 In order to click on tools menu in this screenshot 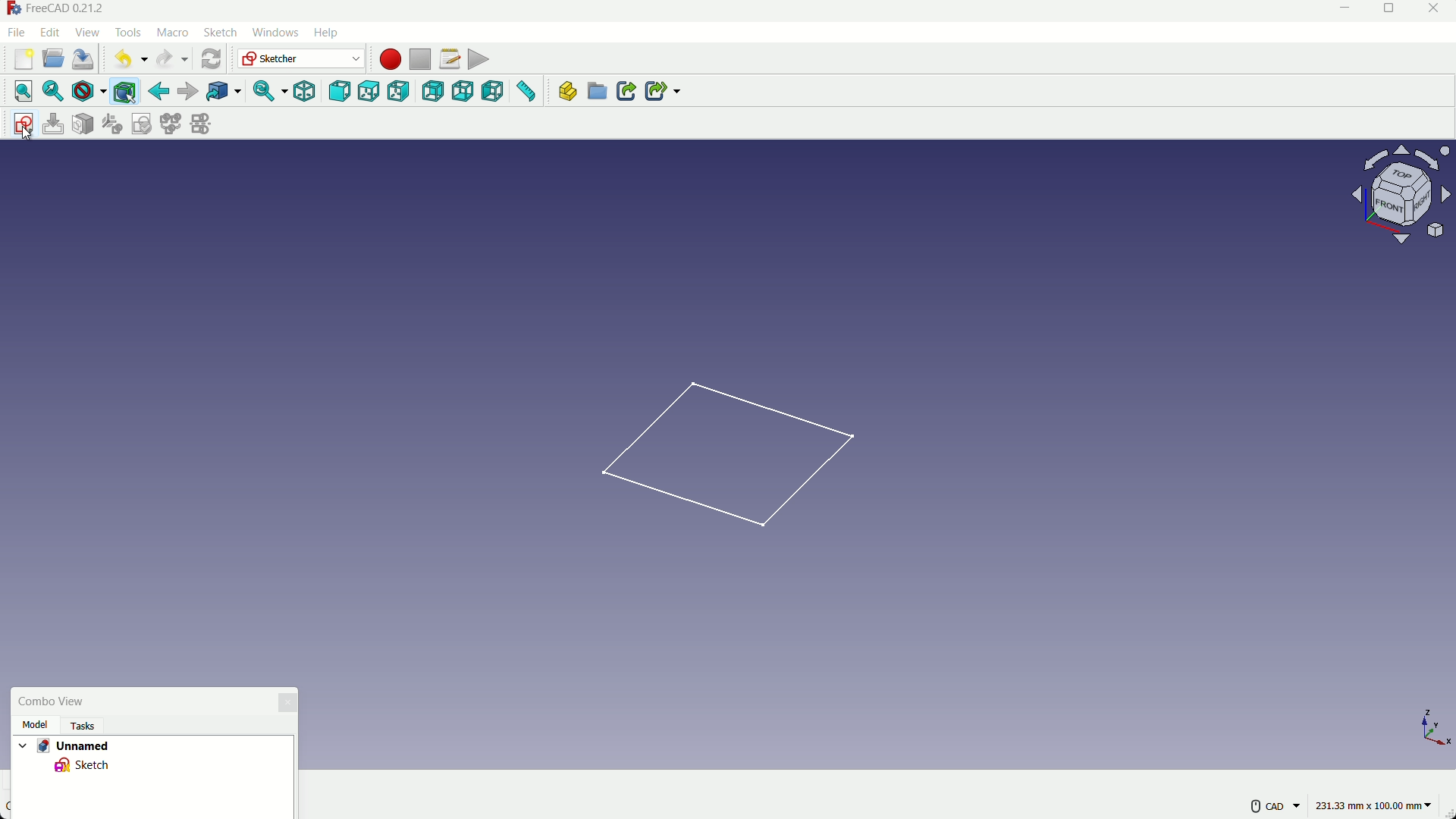, I will do `click(129, 33)`.